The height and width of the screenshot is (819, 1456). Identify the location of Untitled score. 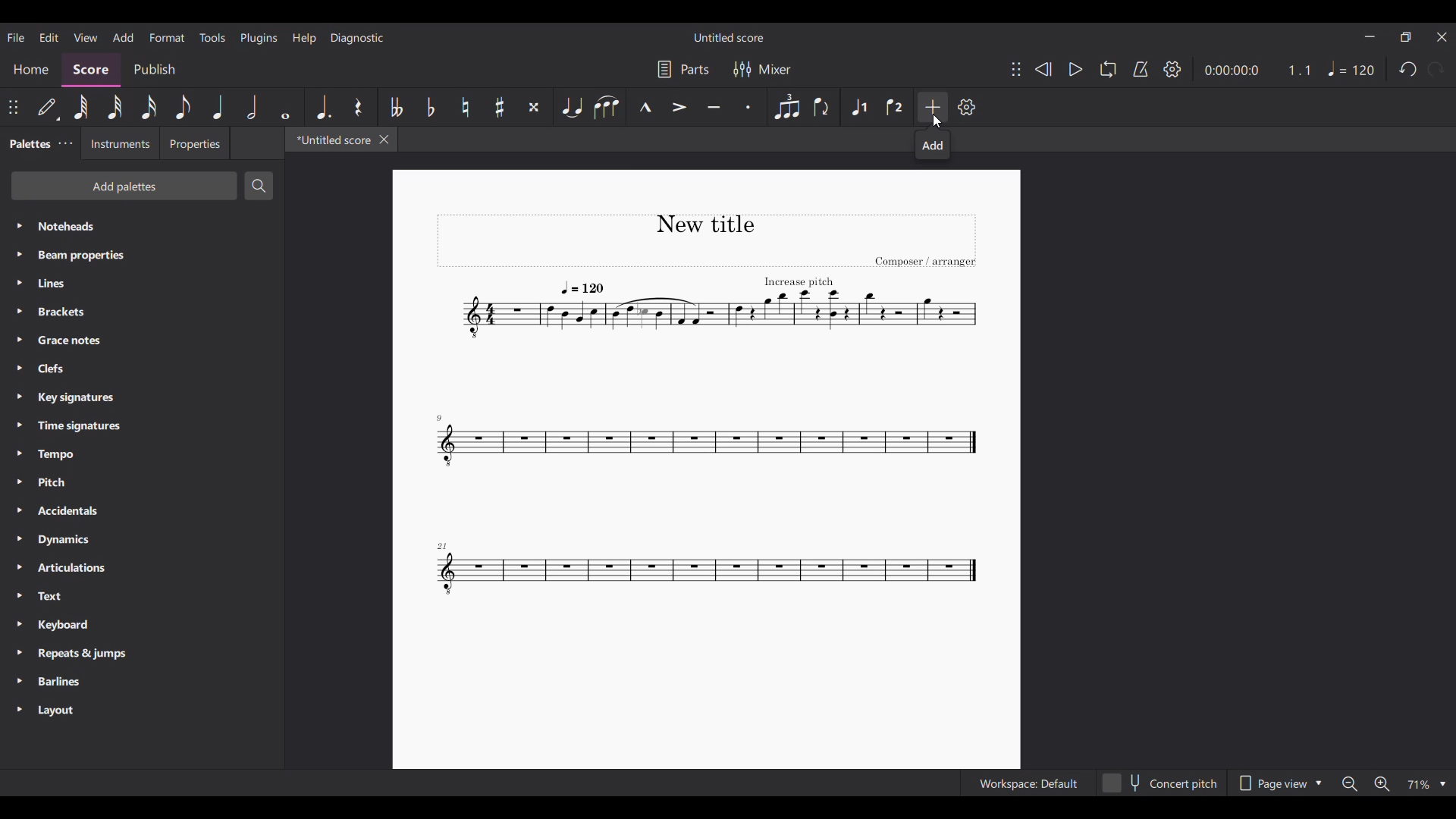
(730, 38).